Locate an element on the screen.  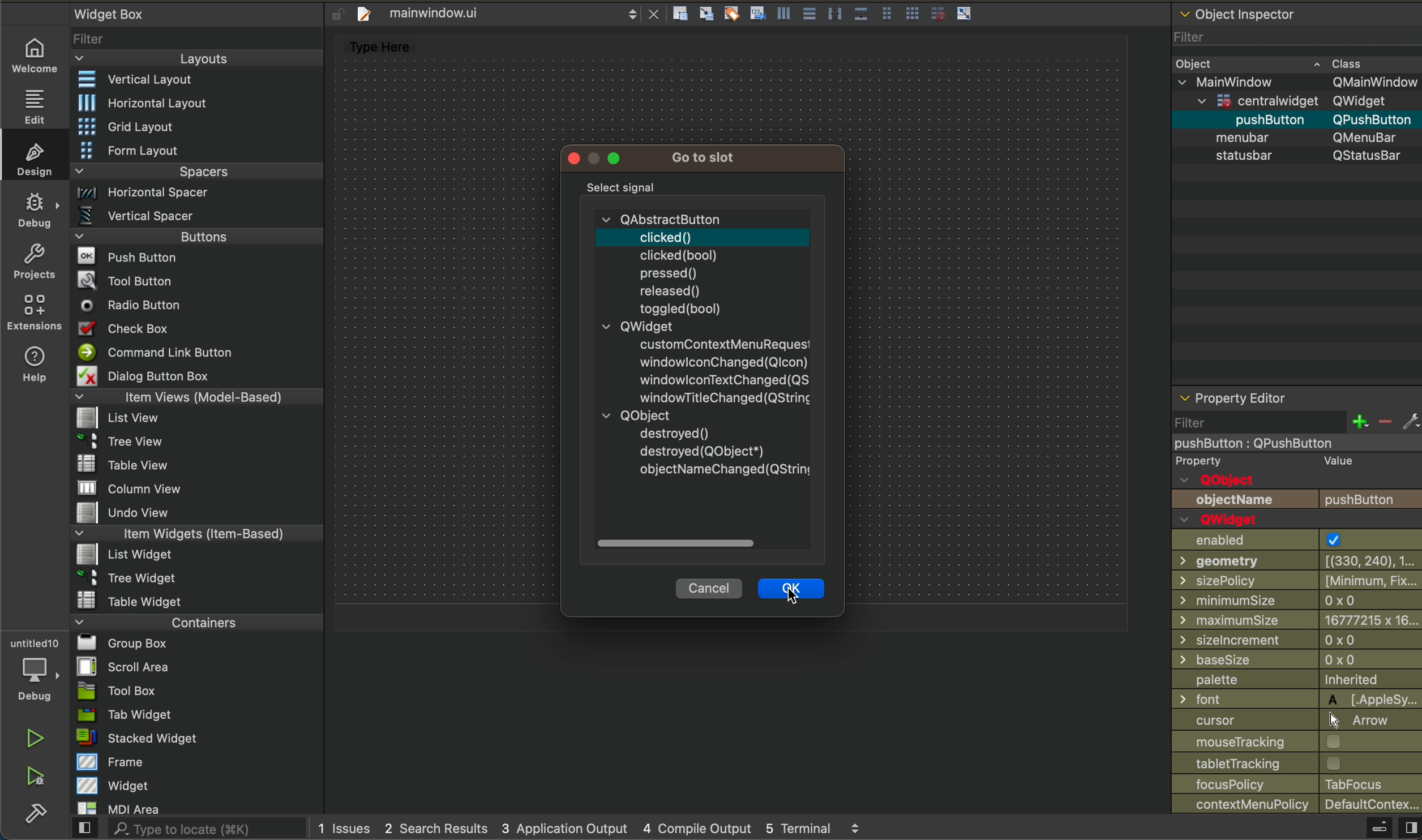
horizontal layout is located at coordinates (197, 101).